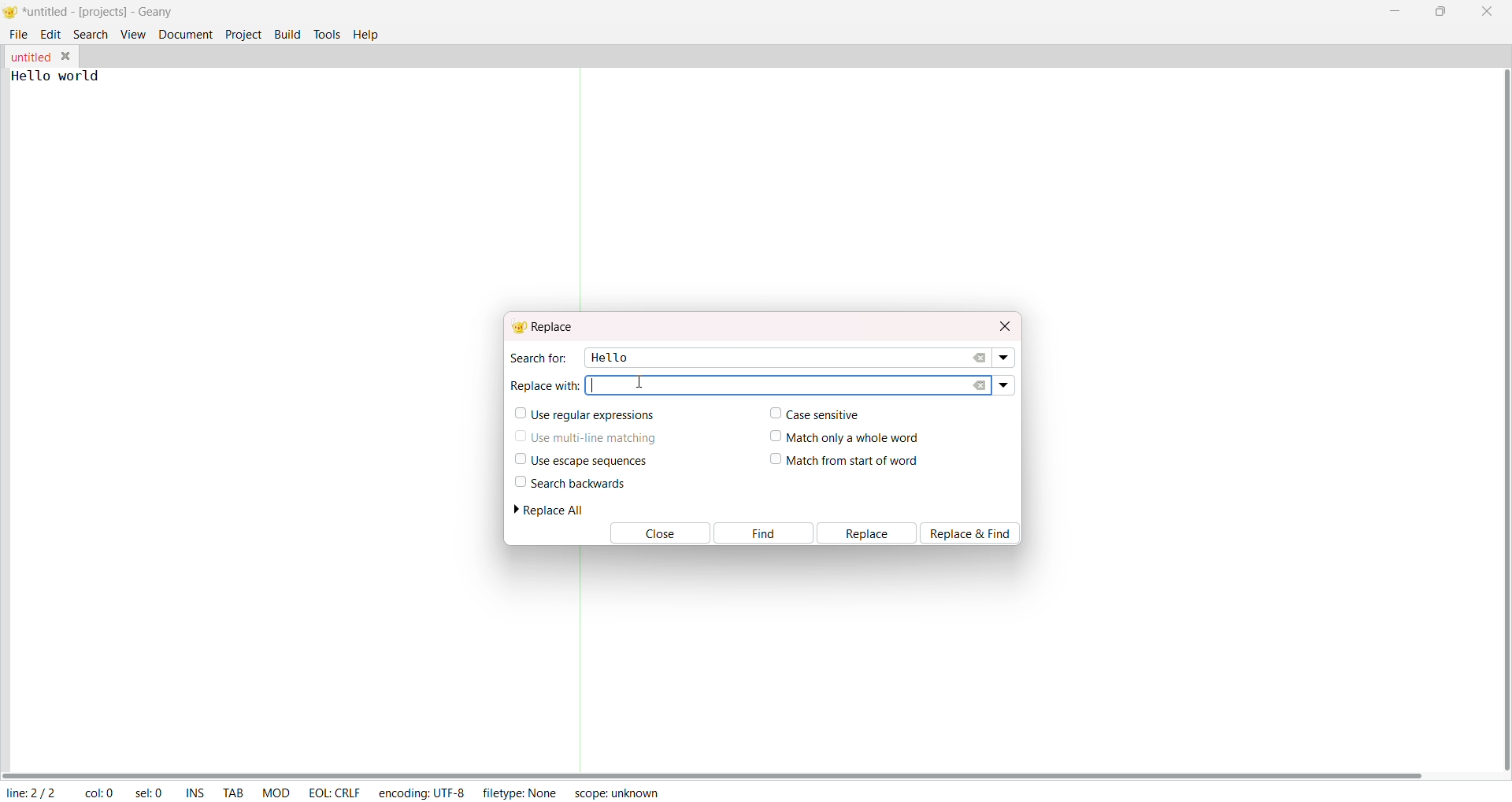 The image size is (1512, 802). I want to click on maximize, so click(1439, 10).